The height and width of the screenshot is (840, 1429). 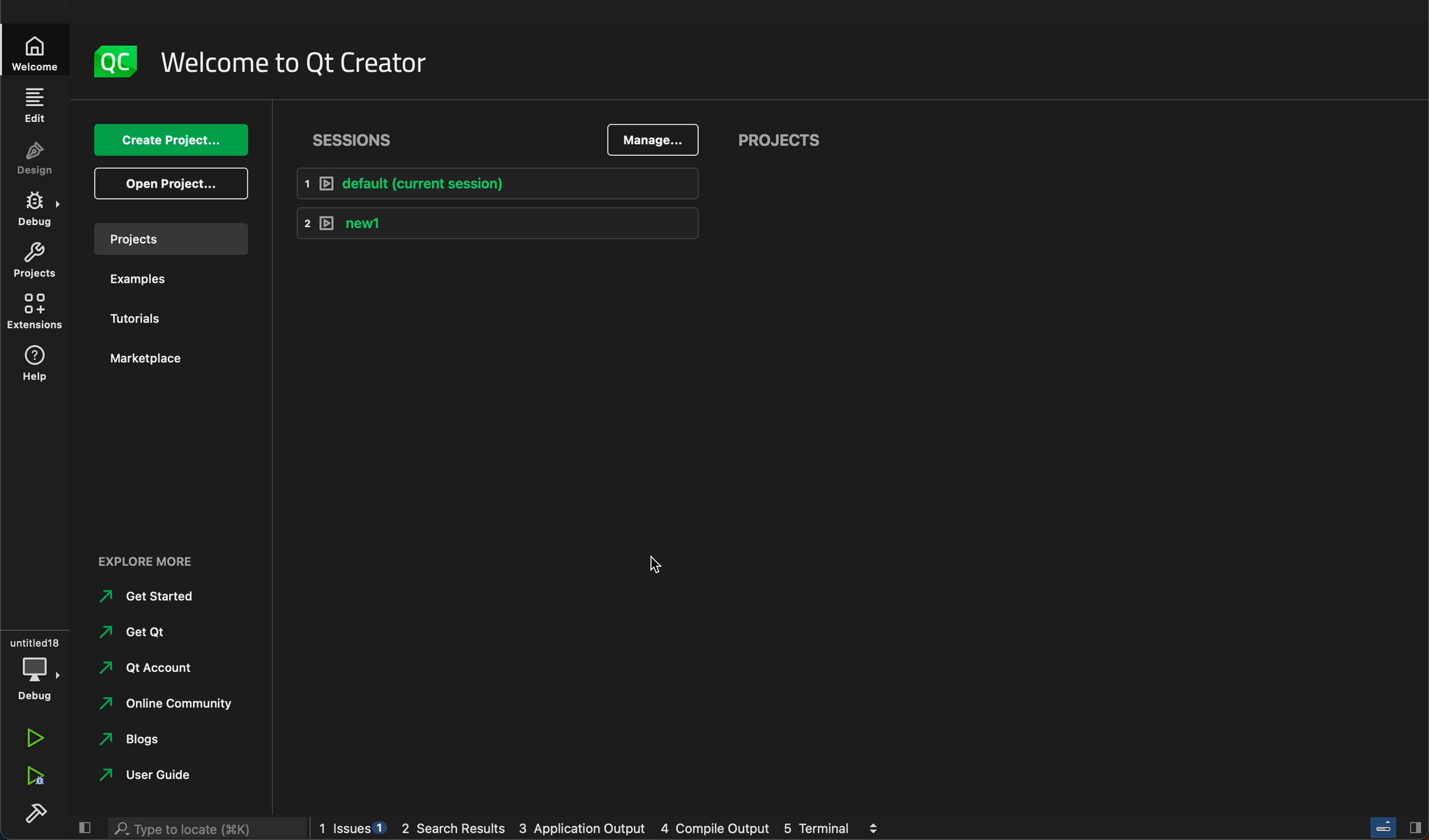 I want to click on design, so click(x=34, y=159).